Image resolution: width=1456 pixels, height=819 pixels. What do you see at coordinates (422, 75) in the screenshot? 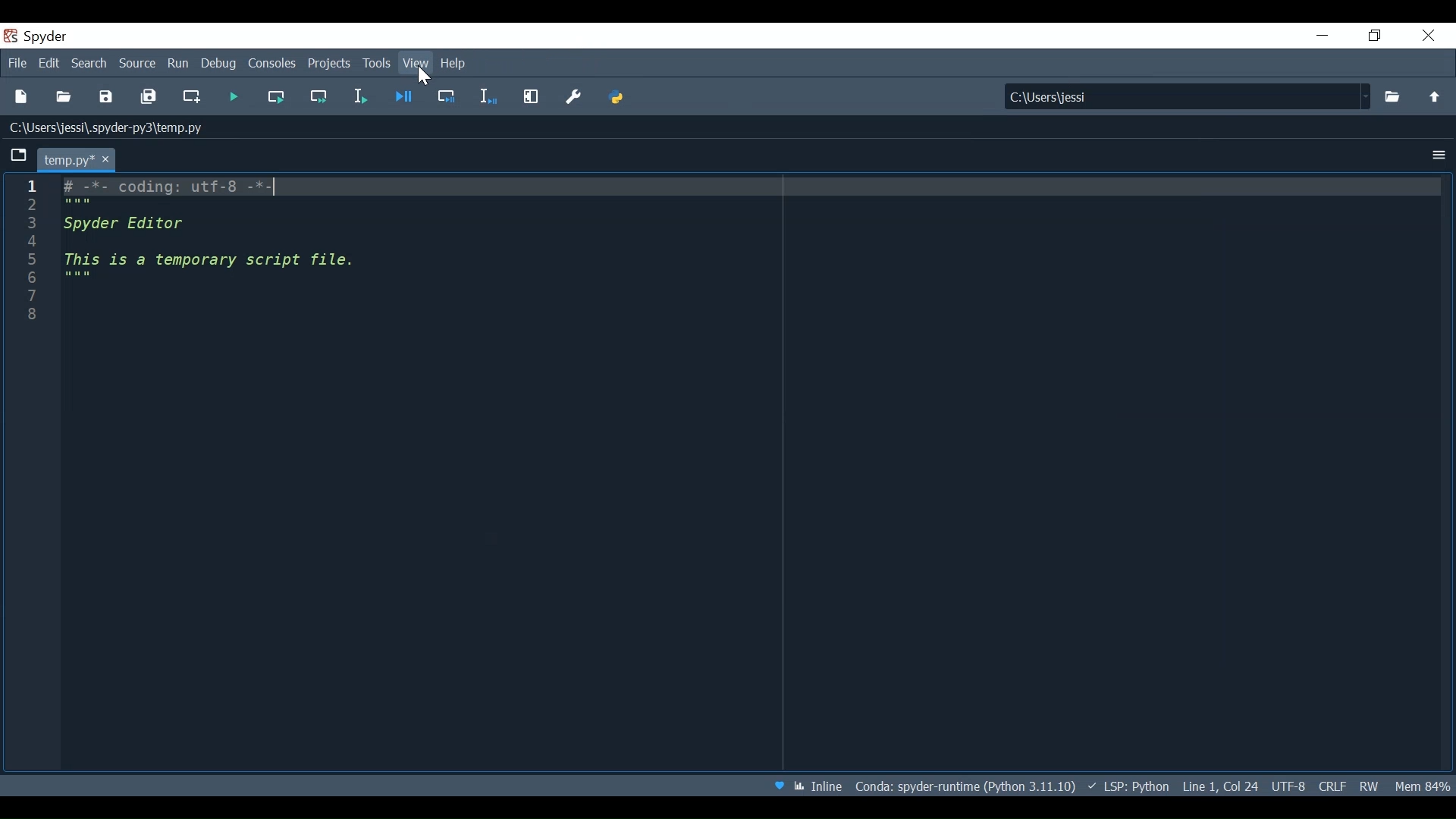
I see `Cursor` at bounding box center [422, 75].